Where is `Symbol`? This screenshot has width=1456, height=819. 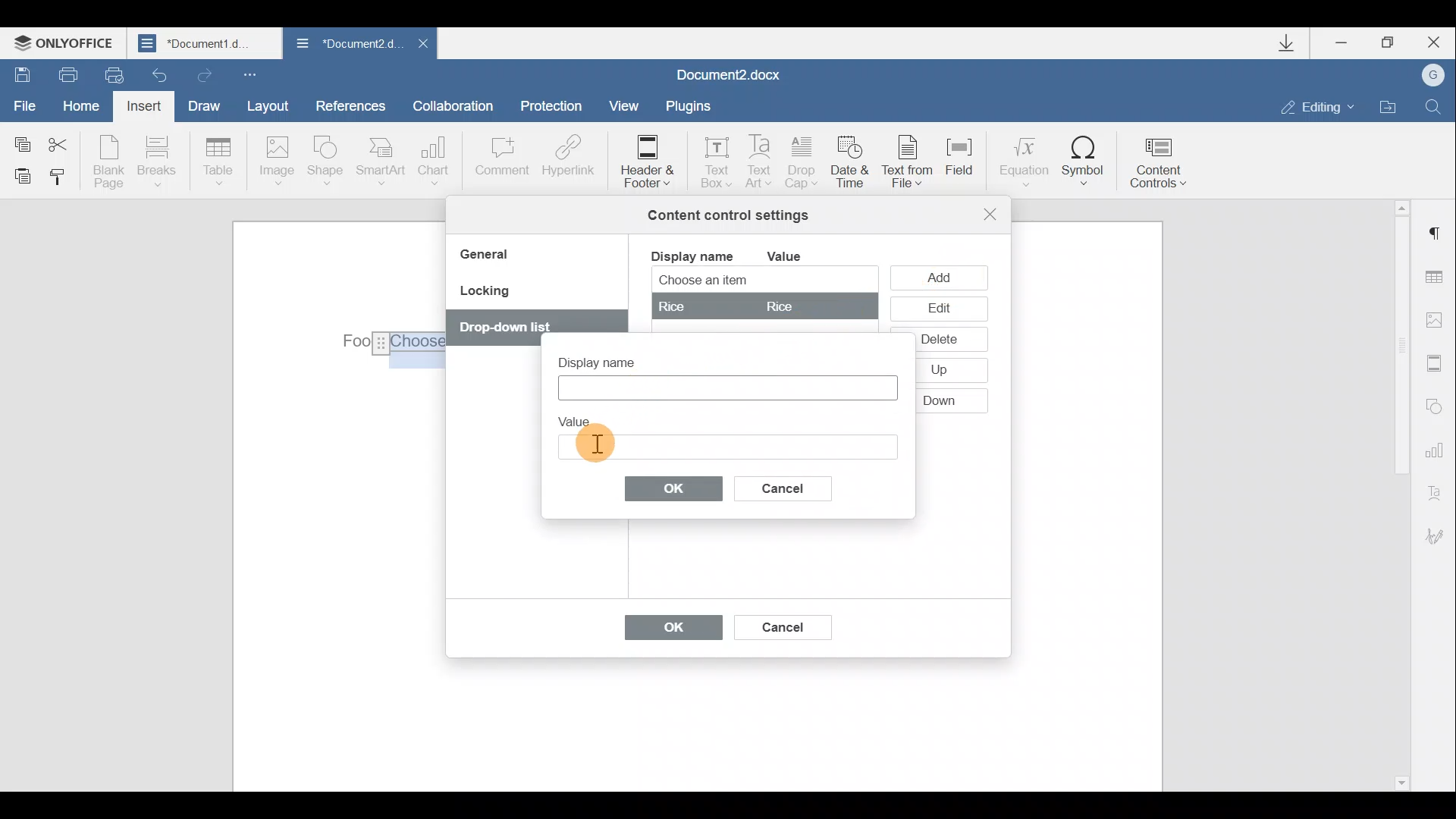
Symbol is located at coordinates (1084, 160).